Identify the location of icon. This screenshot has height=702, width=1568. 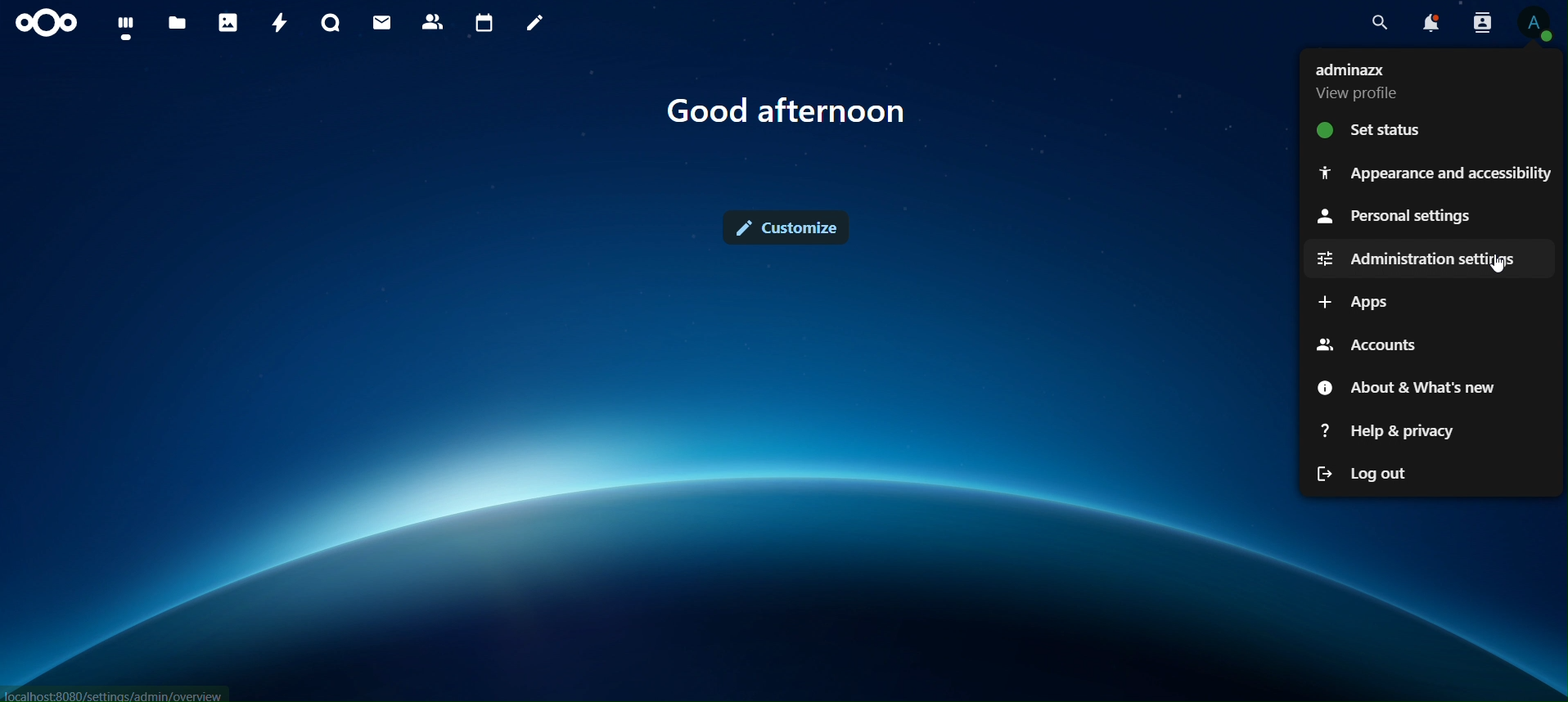
(47, 23).